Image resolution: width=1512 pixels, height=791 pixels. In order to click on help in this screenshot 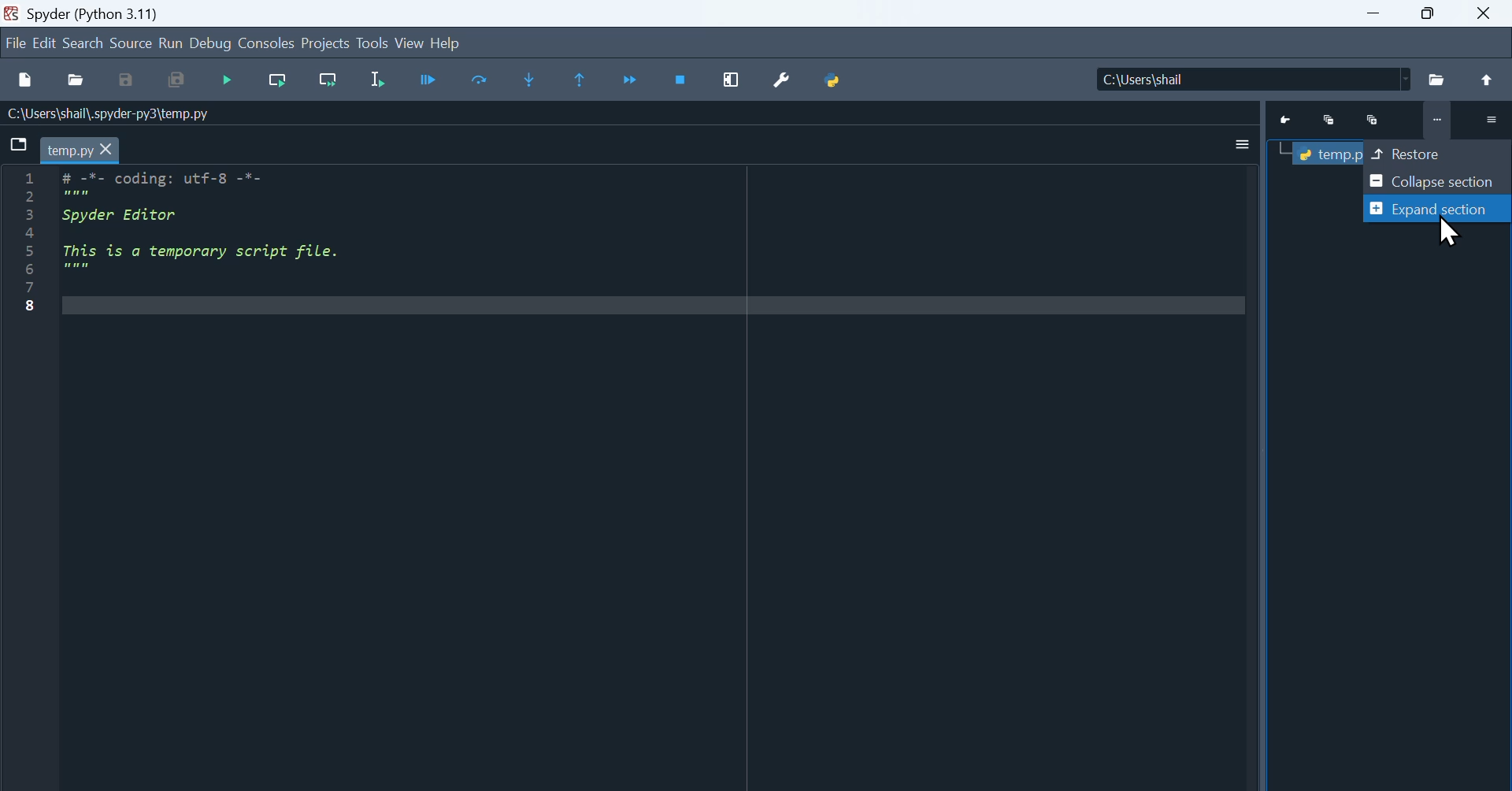, I will do `click(445, 43)`.